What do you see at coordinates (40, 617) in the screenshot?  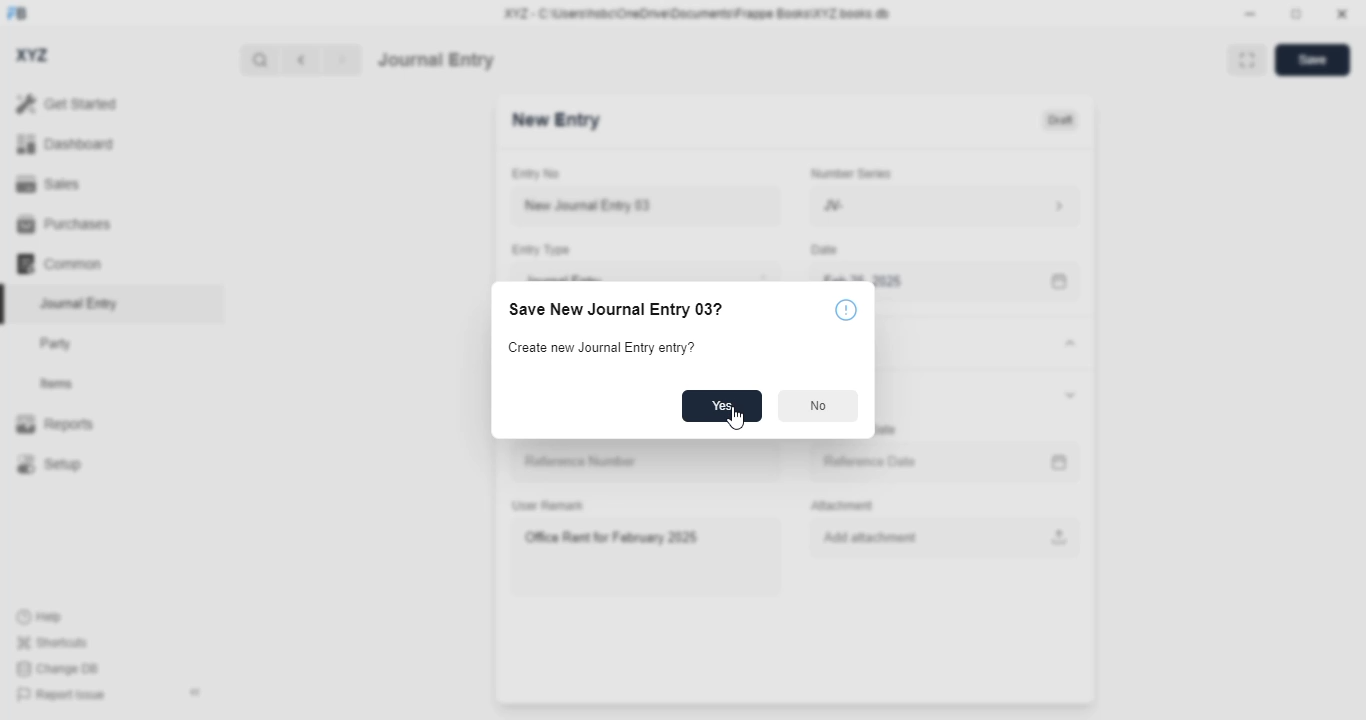 I see `help` at bounding box center [40, 617].